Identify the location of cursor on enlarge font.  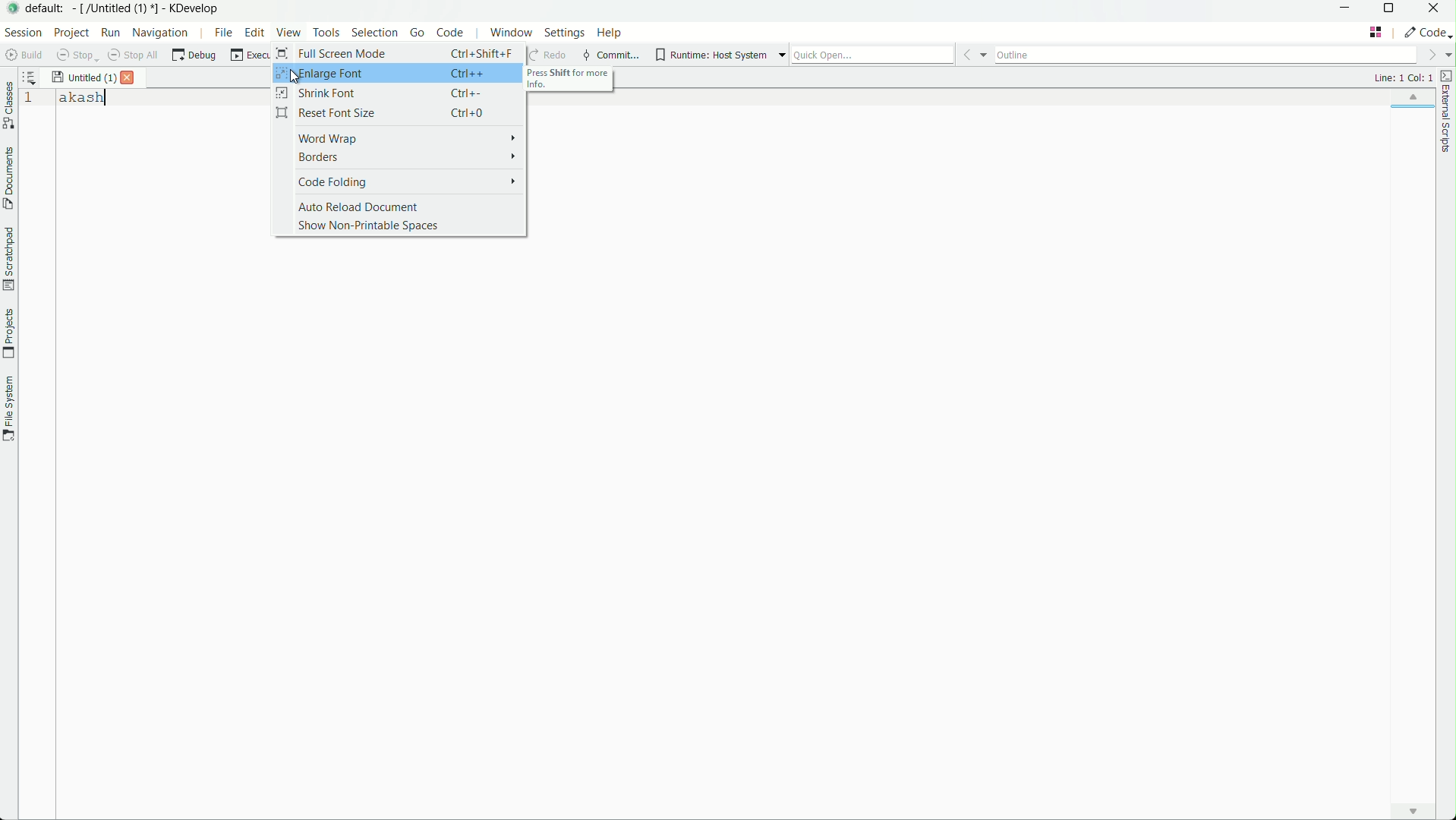
(298, 77).